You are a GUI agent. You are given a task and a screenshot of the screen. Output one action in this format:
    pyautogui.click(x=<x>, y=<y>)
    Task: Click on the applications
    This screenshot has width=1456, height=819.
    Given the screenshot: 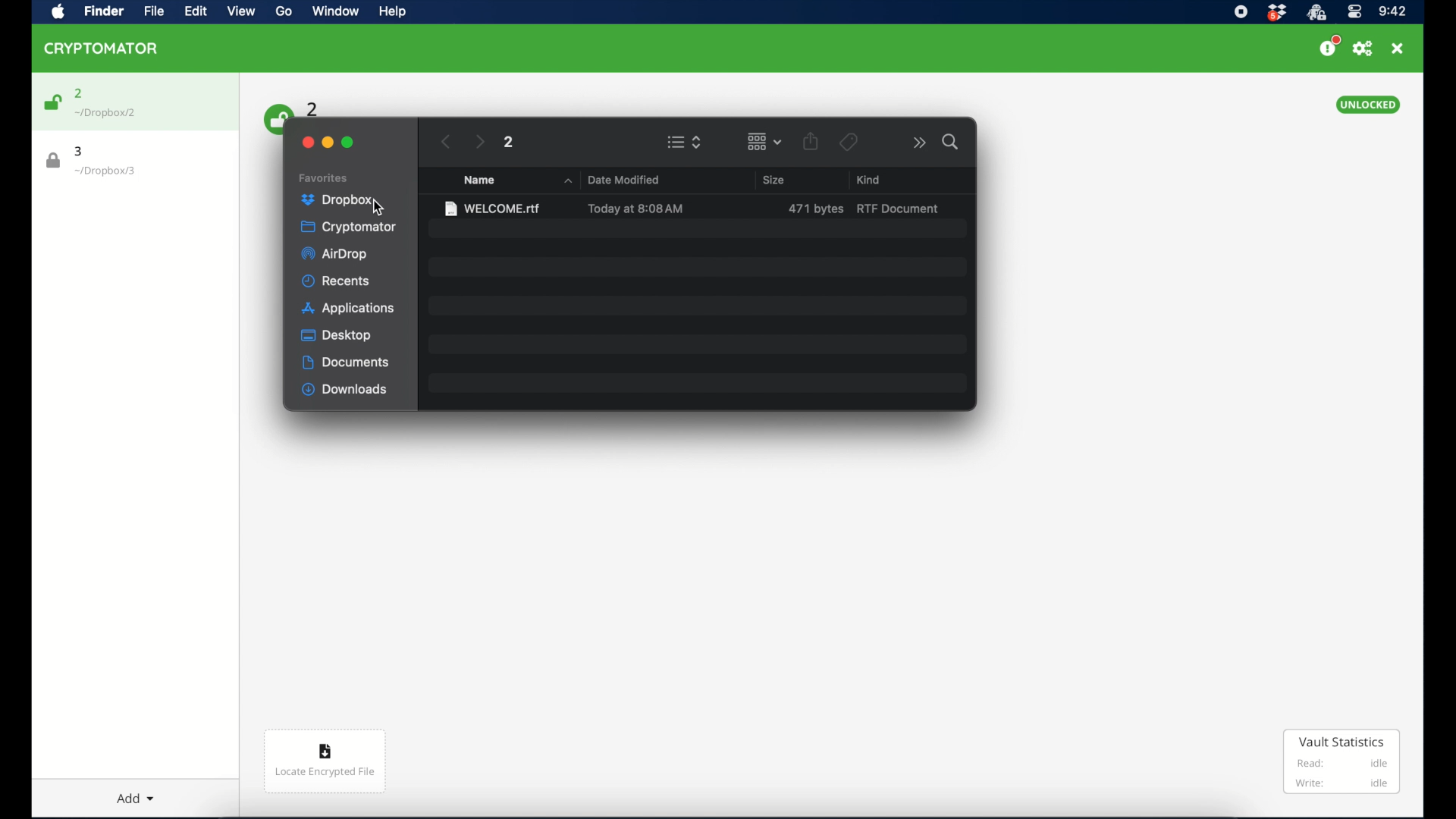 What is the action you would take?
    pyautogui.click(x=348, y=309)
    